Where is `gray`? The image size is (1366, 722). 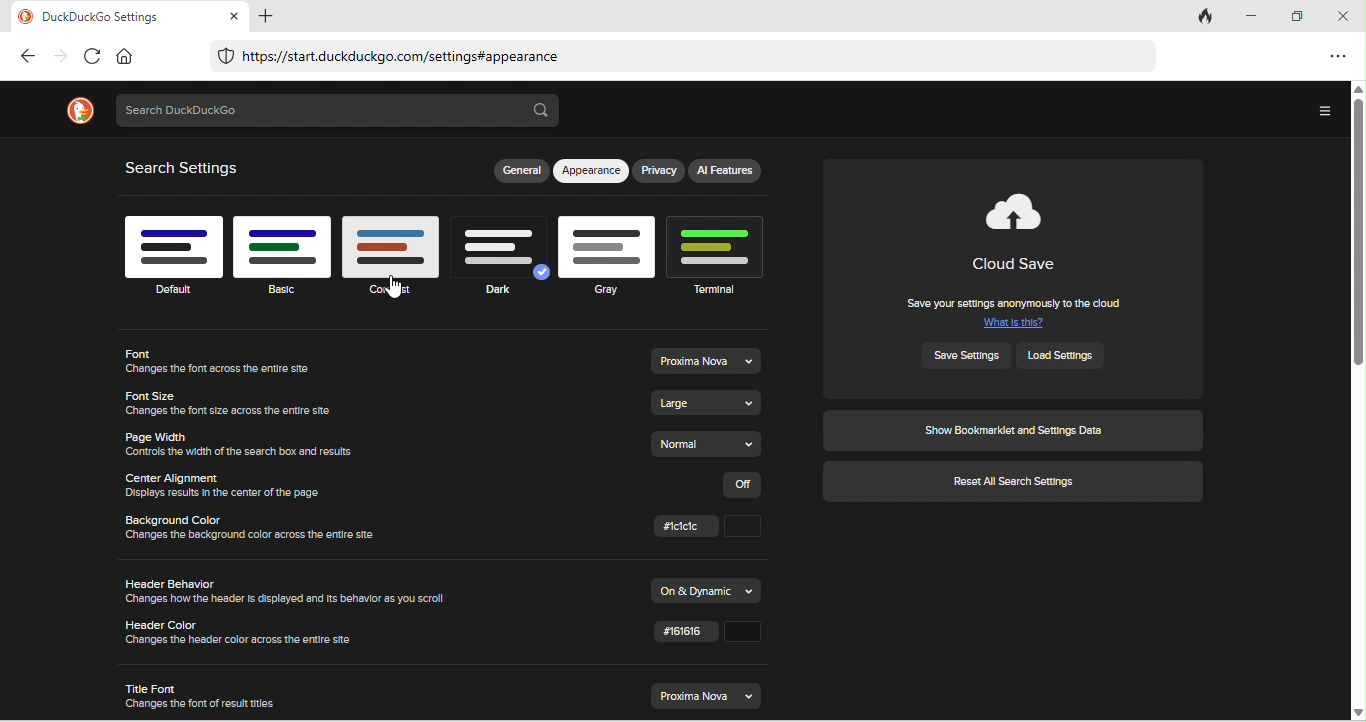
gray is located at coordinates (607, 255).